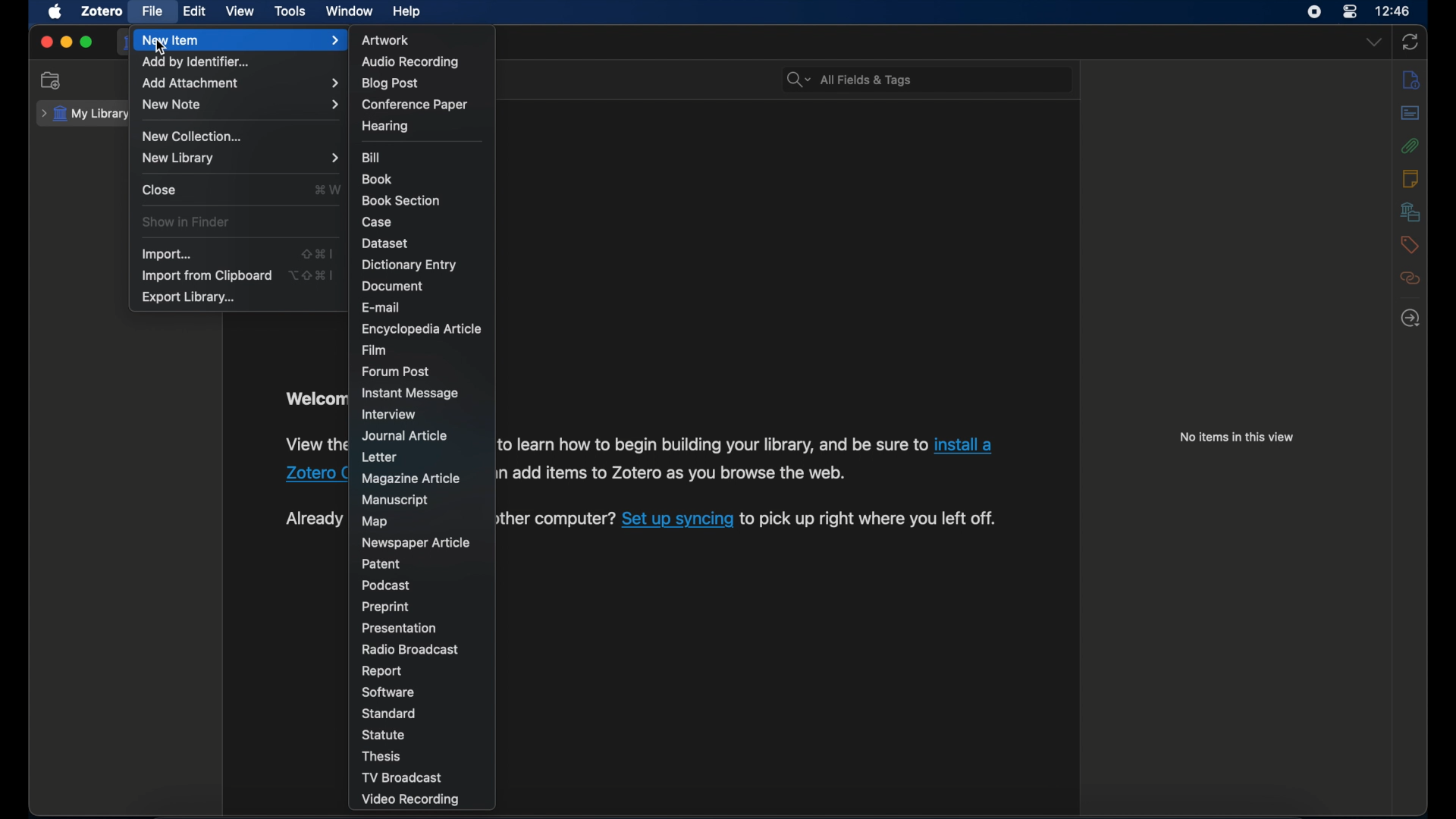 Image resolution: width=1456 pixels, height=819 pixels. What do you see at coordinates (162, 49) in the screenshot?
I see `cursor` at bounding box center [162, 49].